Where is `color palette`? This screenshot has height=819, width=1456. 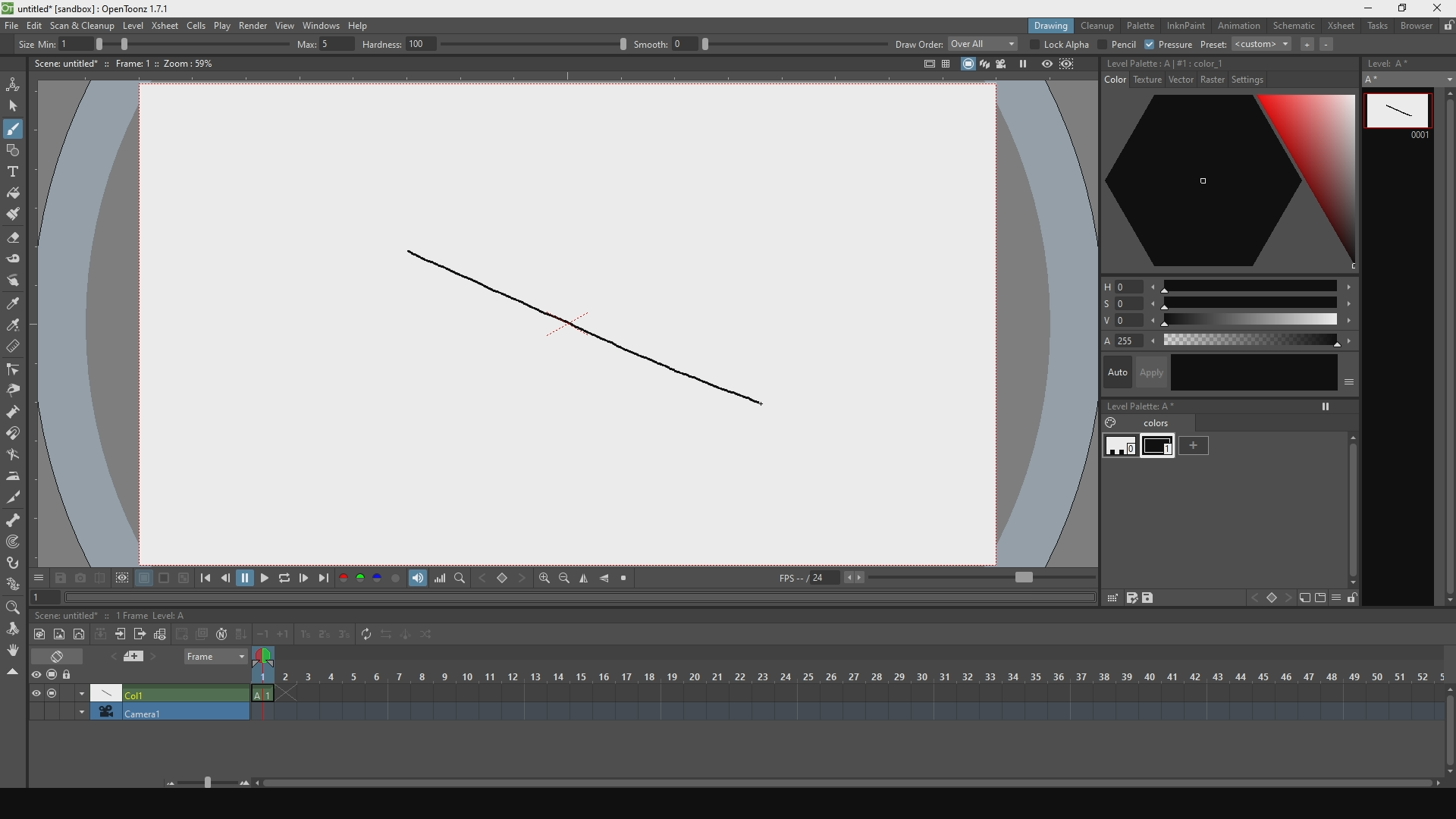
color palette is located at coordinates (1225, 185).